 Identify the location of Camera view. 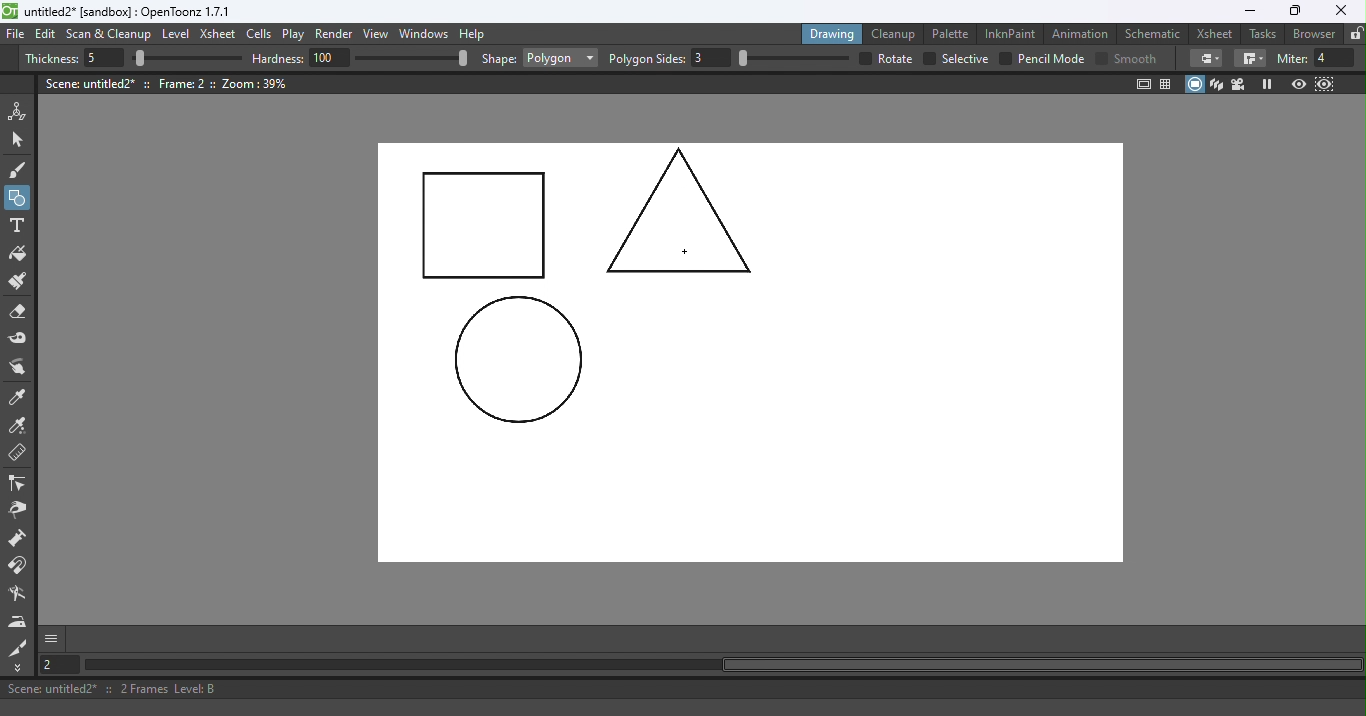
(1241, 83).